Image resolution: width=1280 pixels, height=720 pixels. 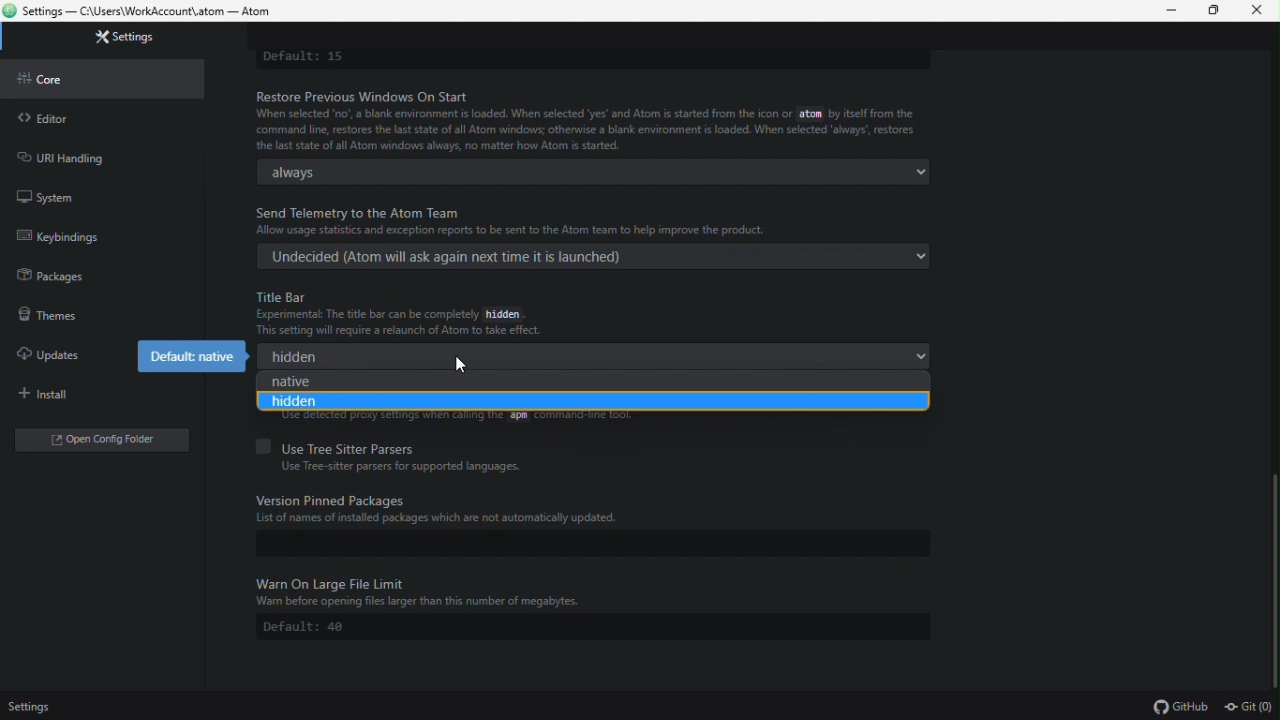 What do you see at coordinates (1276, 582) in the screenshot?
I see `scrollbar` at bounding box center [1276, 582].